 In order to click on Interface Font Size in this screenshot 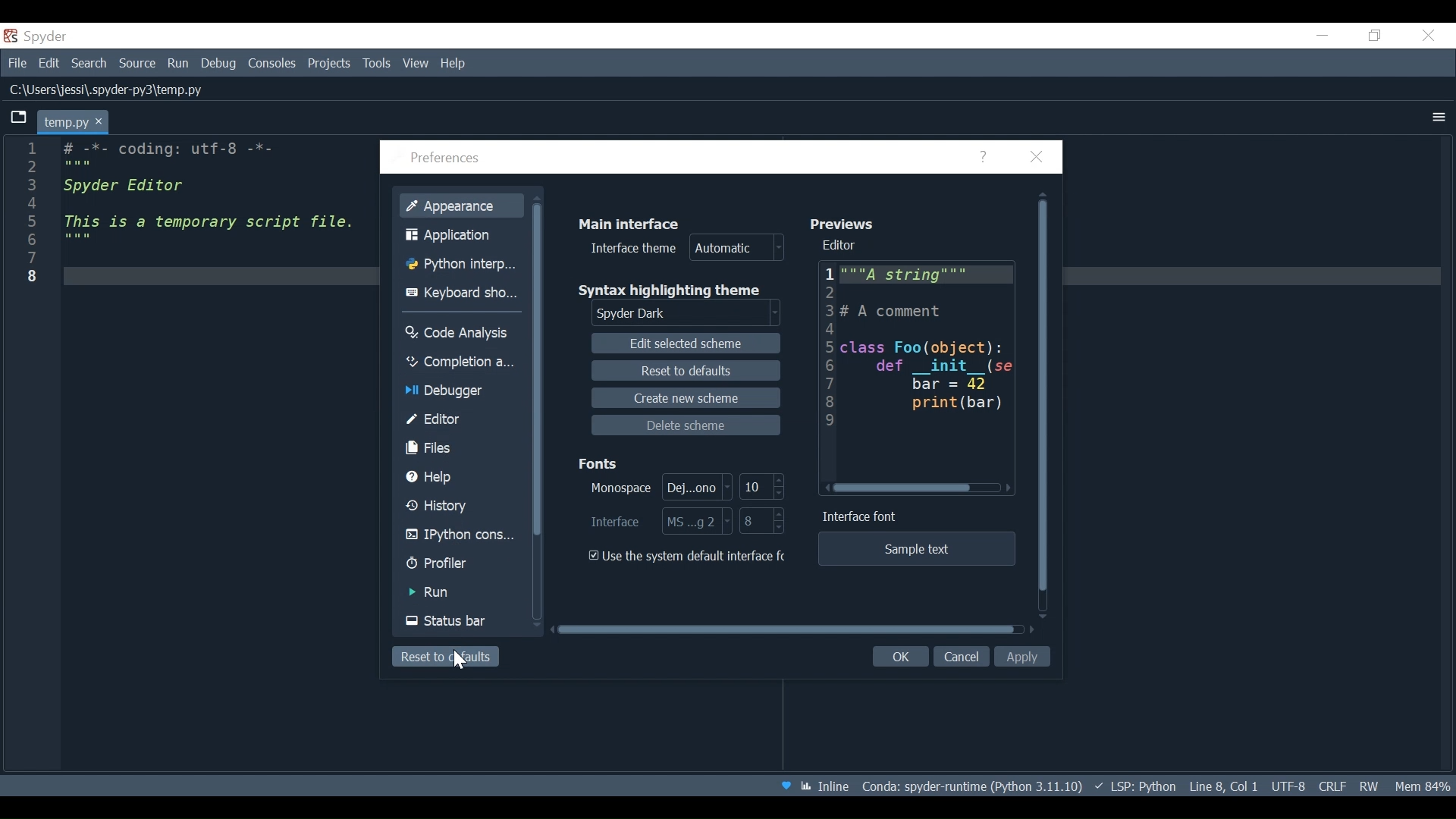, I will do `click(763, 522)`.